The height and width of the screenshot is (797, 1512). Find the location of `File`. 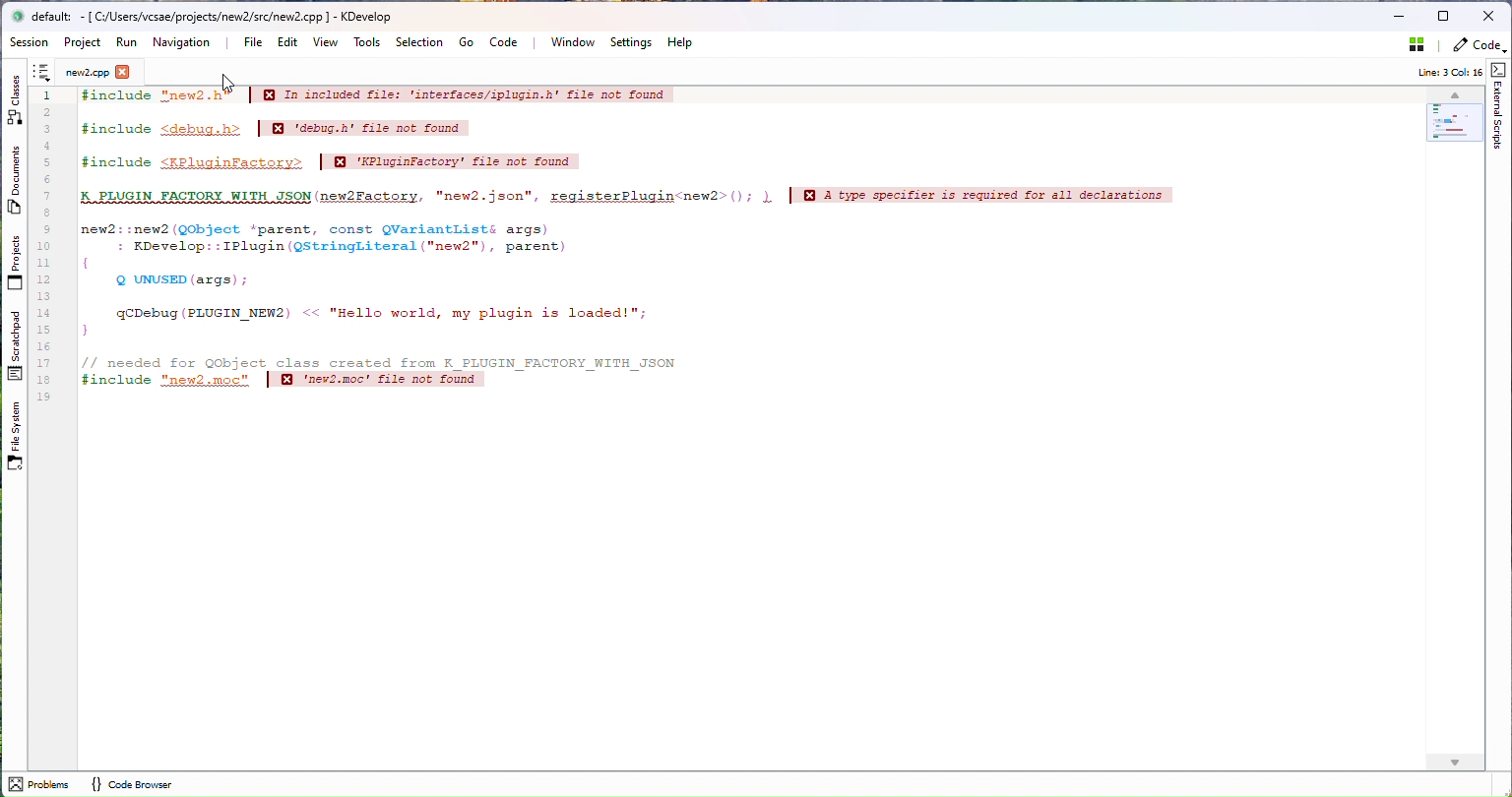

File is located at coordinates (252, 44).